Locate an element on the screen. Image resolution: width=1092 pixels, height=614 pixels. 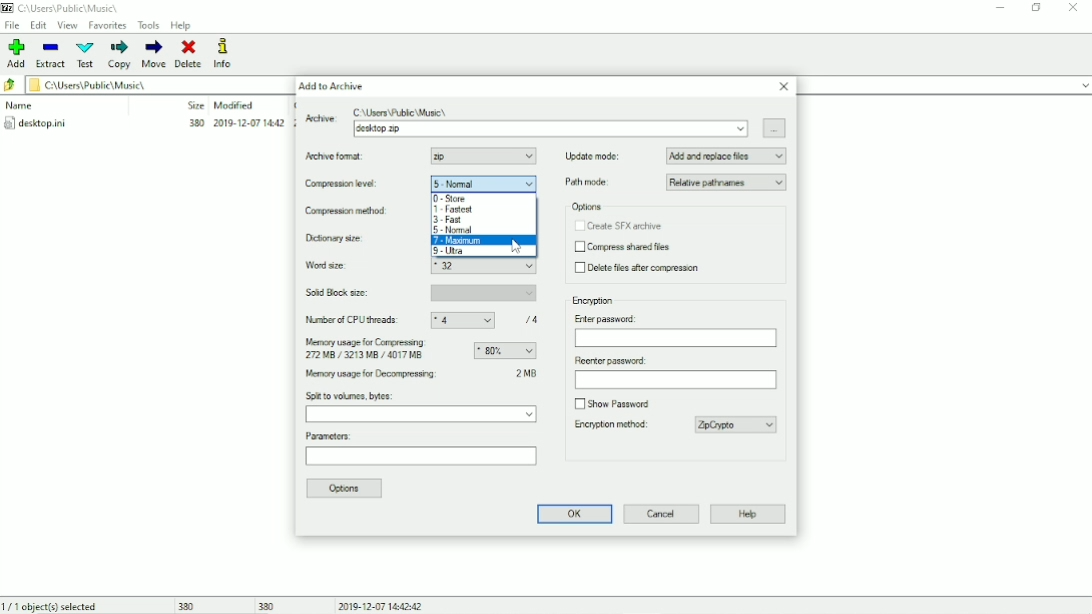
Back is located at coordinates (10, 86).